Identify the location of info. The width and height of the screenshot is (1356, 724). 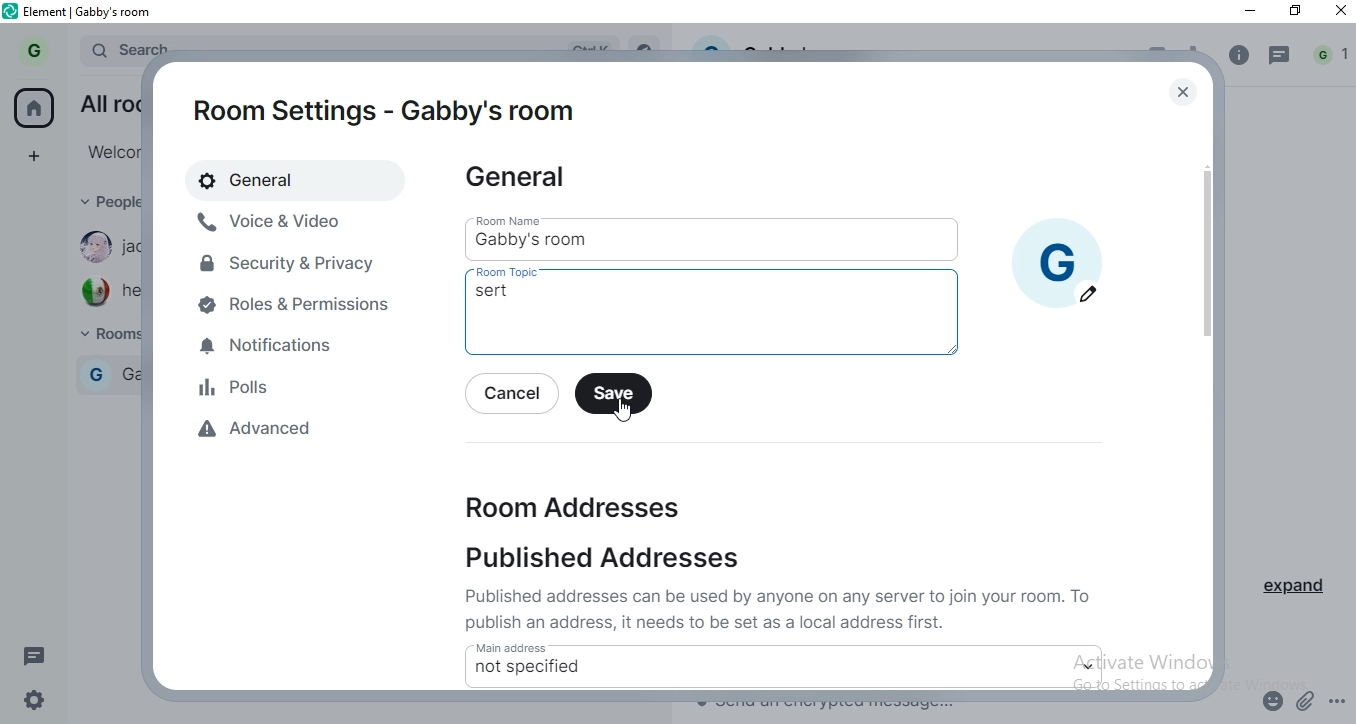
(1239, 55).